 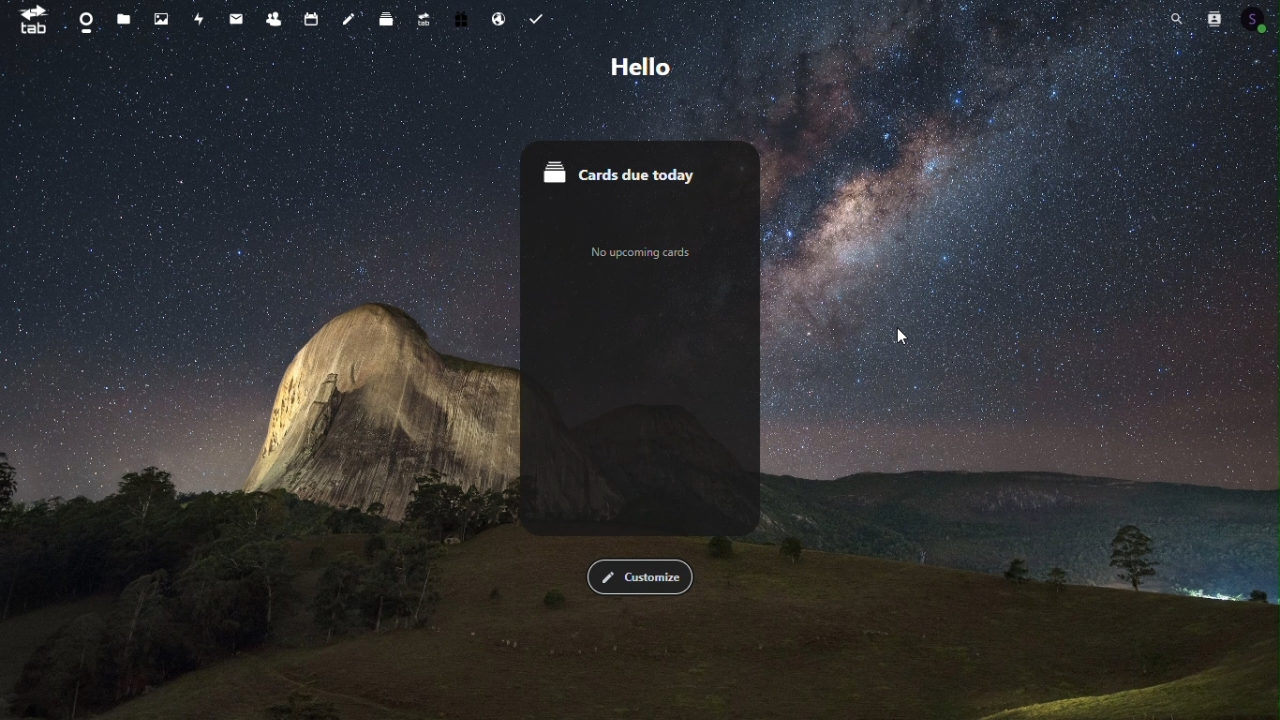 I want to click on Upgrade, so click(x=425, y=19).